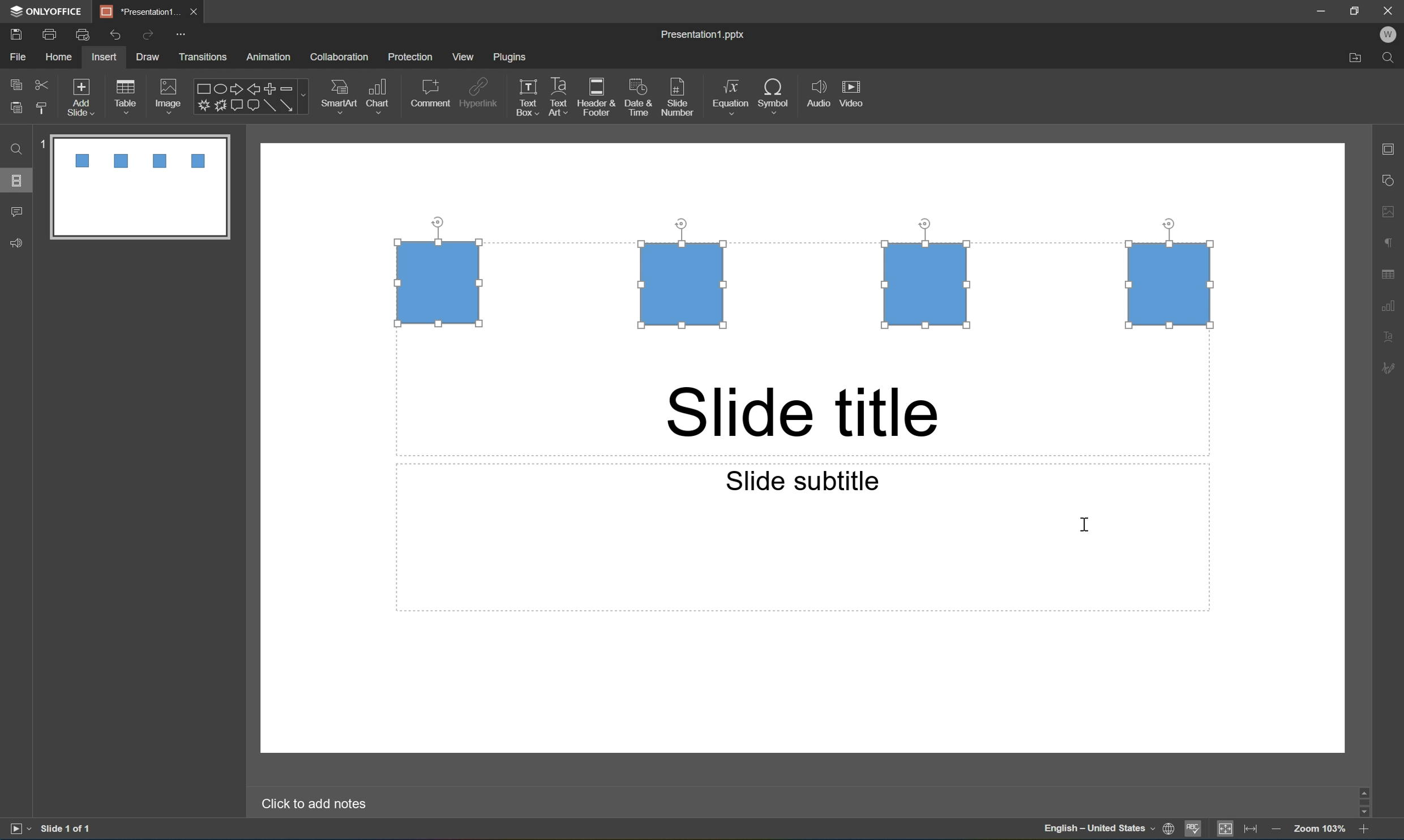 This screenshot has height=840, width=1404. Describe the element at coordinates (250, 96) in the screenshot. I see `shapes` at that location.